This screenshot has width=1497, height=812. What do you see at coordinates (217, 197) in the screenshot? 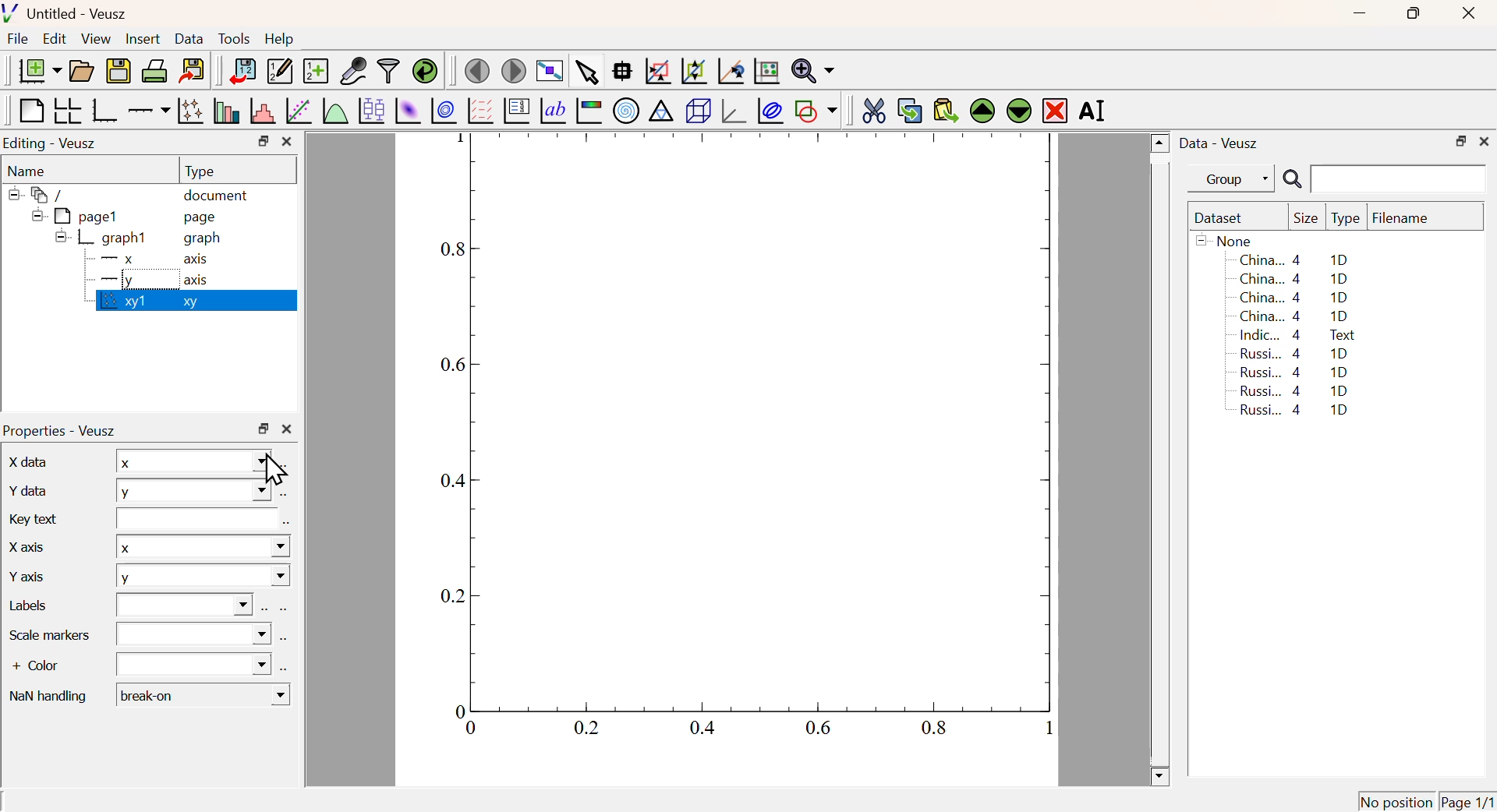
I see `document` at bounding box center [217, 197].